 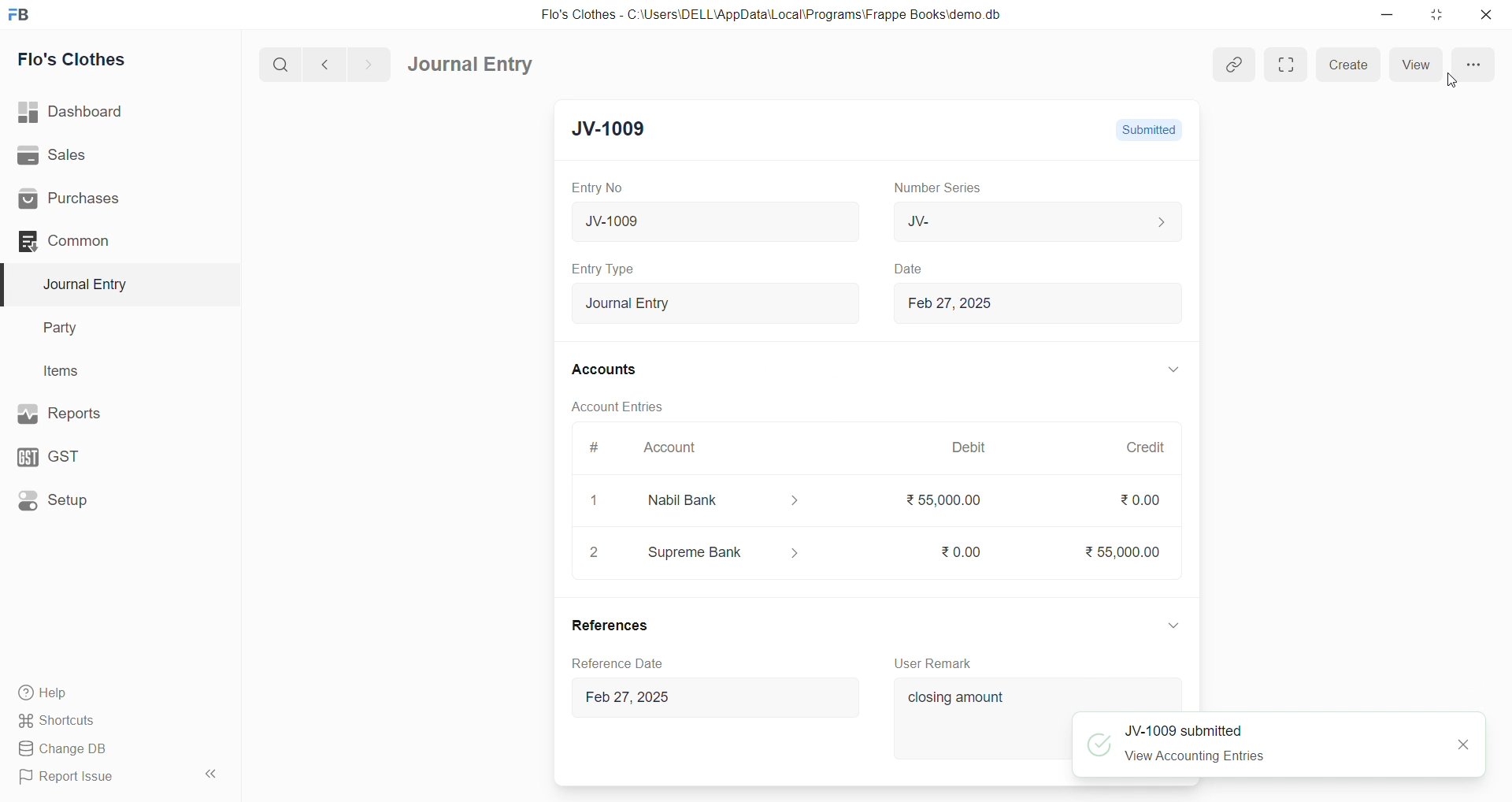 What do you see at coordinates (1028, 219) in the screenshot?
I see `JV-` at bounding box center [1028, 219].